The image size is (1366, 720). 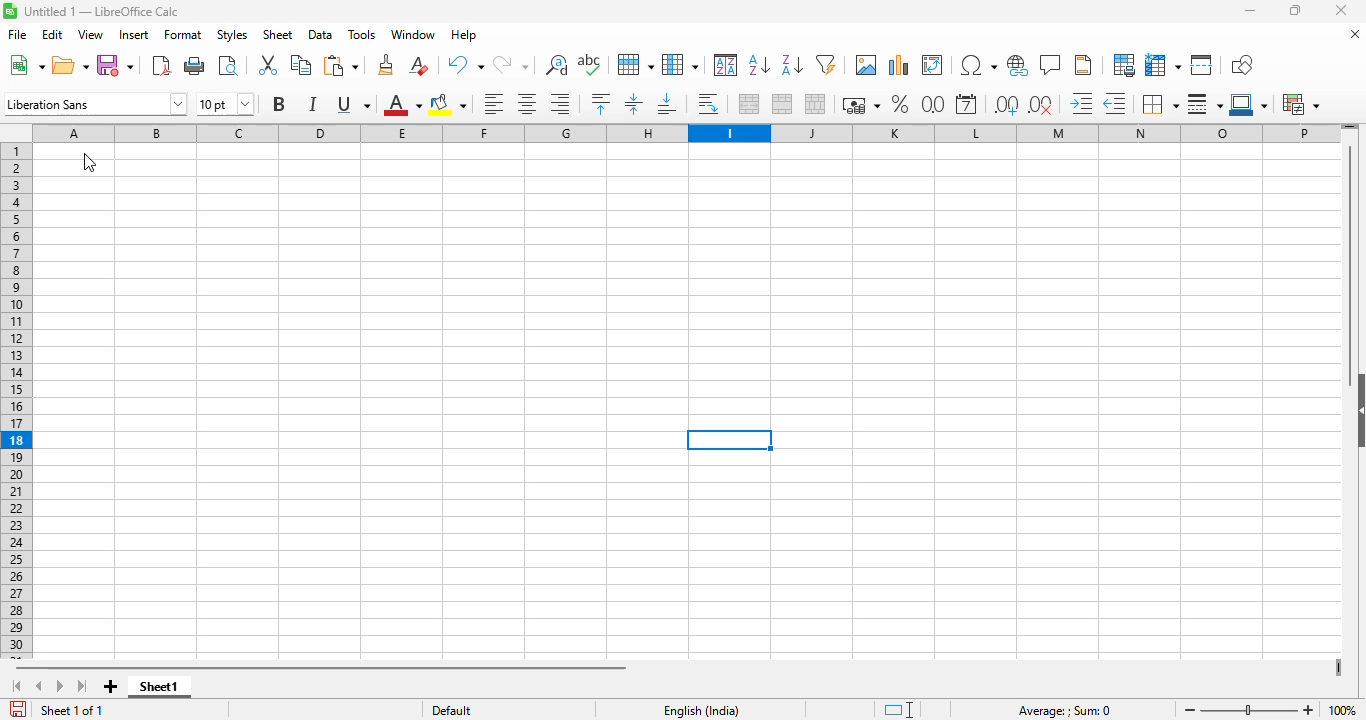 I want to click on scroll to first sheet, so click(x=18, y=686).